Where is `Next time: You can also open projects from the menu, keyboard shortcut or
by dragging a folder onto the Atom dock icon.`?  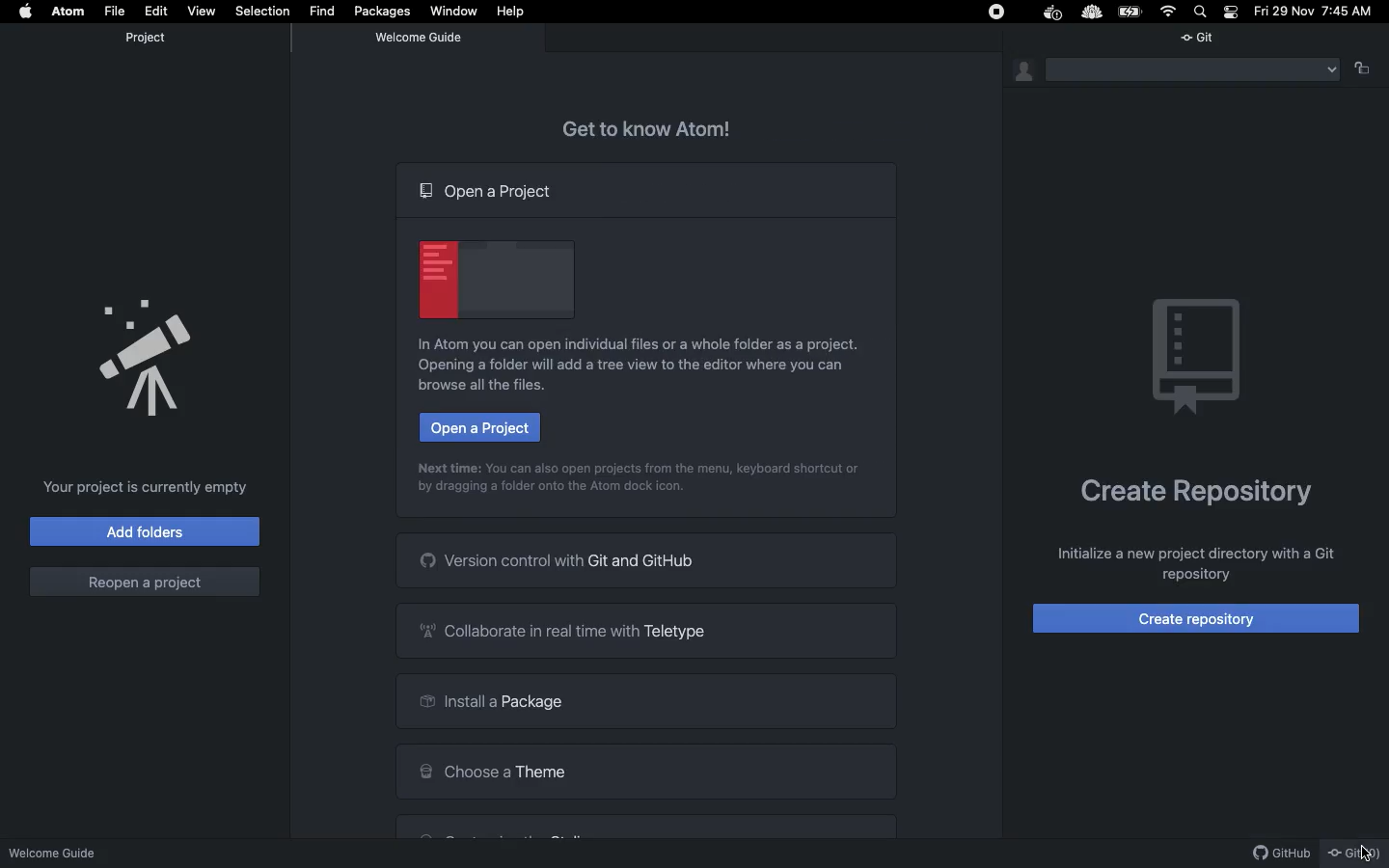
Next time: You can also open projects from the menu, keyboard shortcut or
by dragging a folder onto the Atom dock icon. is located at coordinates (642, 482).